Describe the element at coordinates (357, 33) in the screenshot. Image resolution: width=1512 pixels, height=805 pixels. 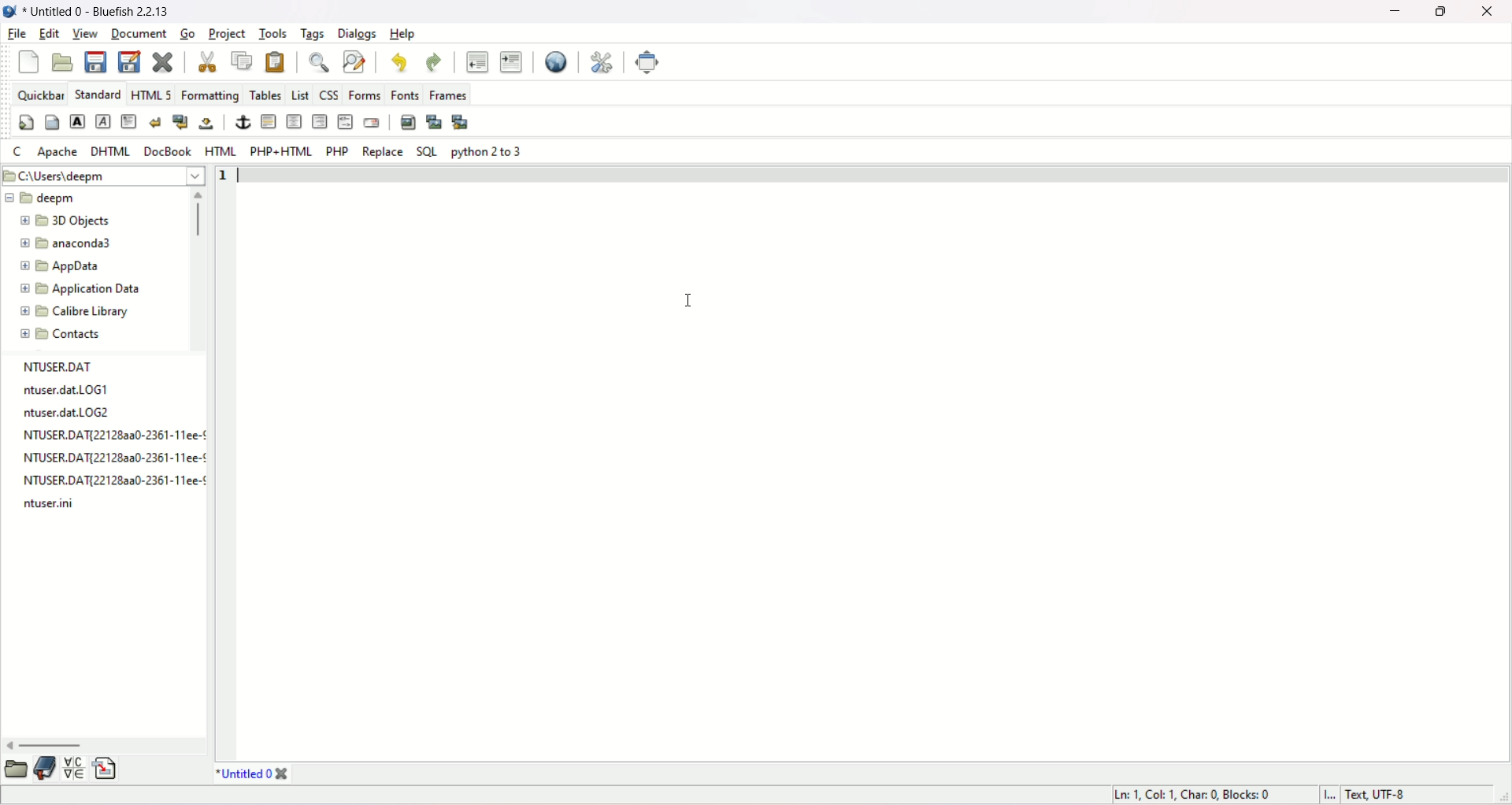
I see `dialogs` at that location.